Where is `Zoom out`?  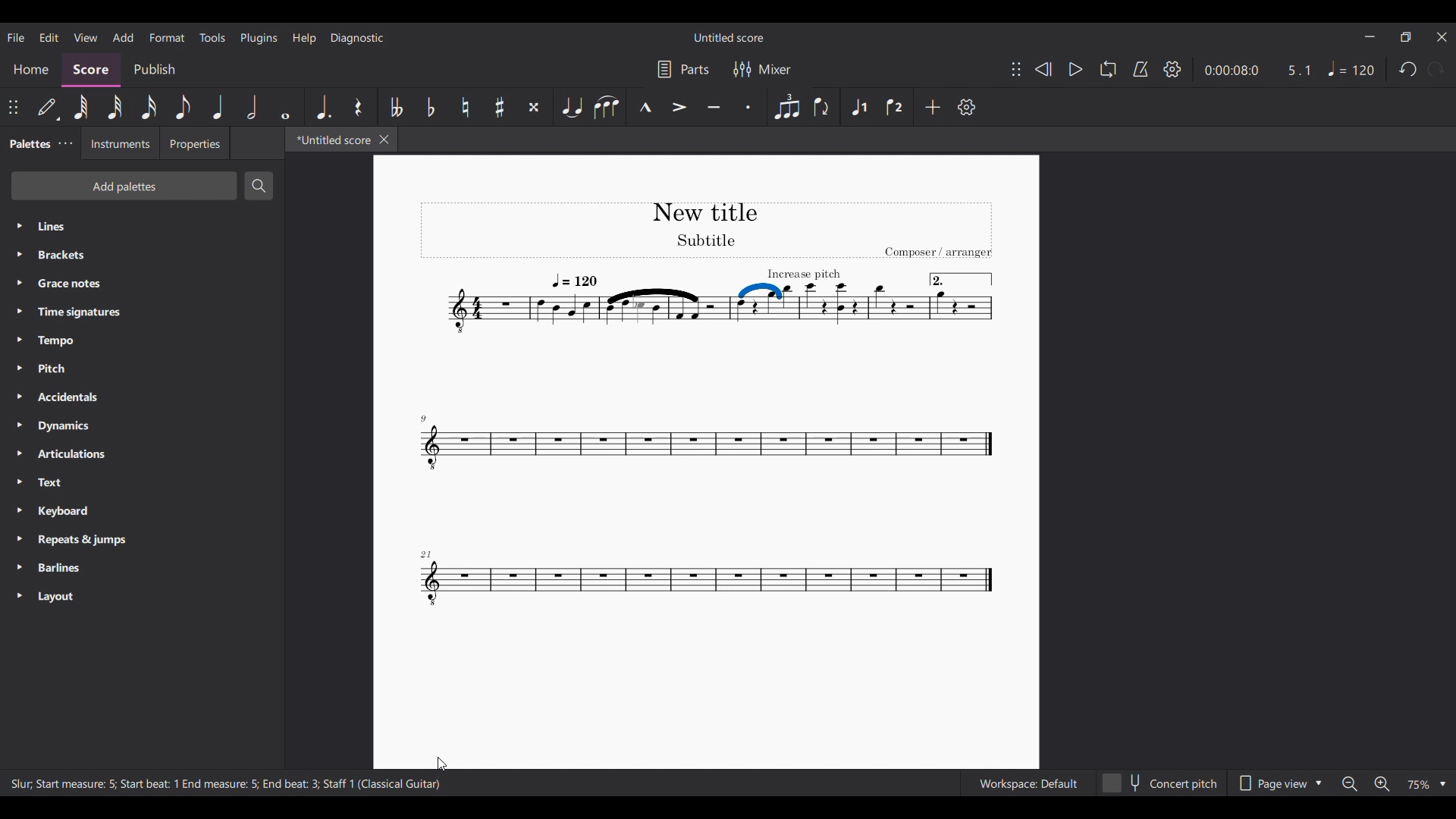
Zoom out is located at coordinates (1350, 783).